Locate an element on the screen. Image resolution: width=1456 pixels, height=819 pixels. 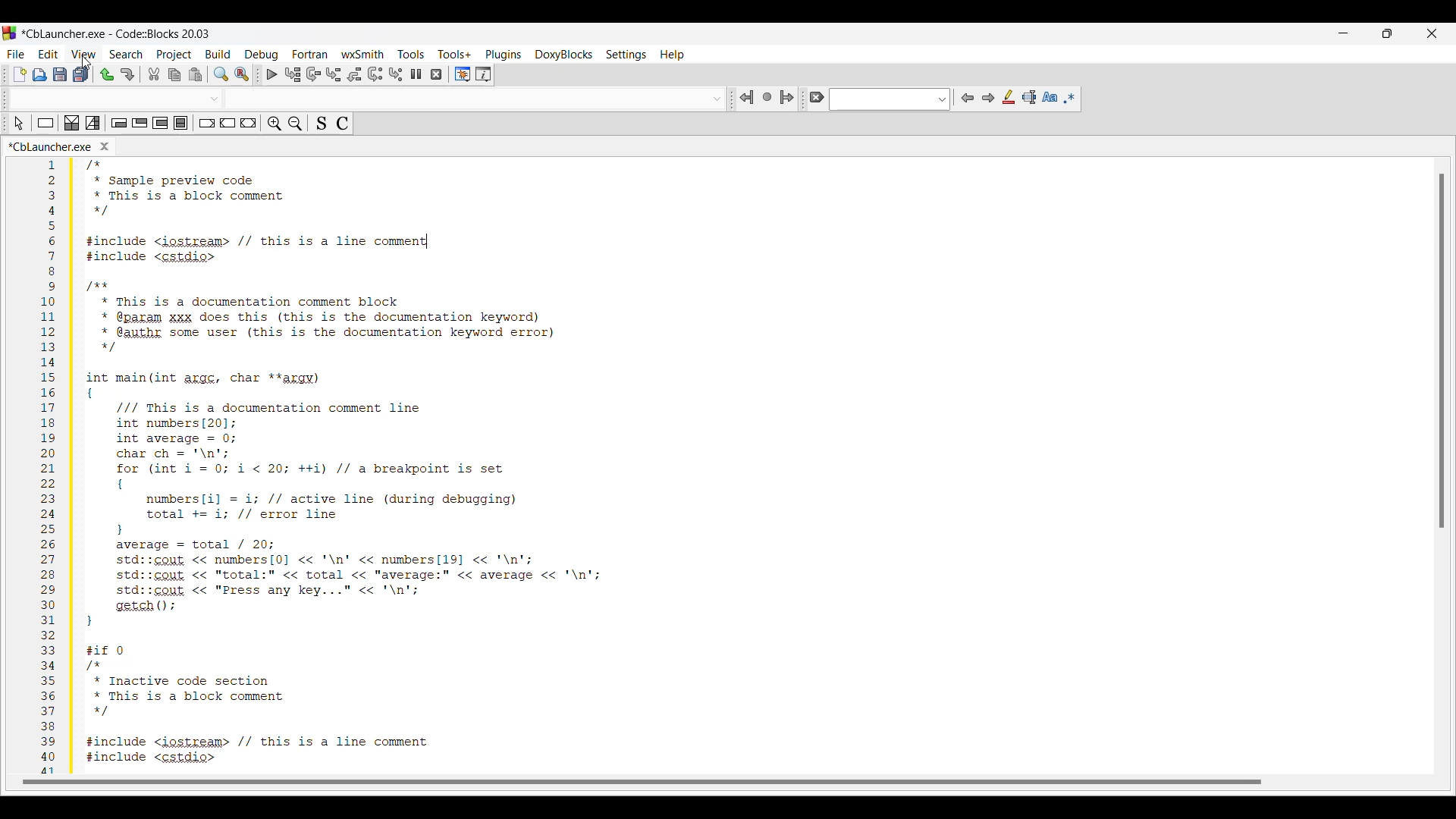
Selection is located at coordinates (93, 123).